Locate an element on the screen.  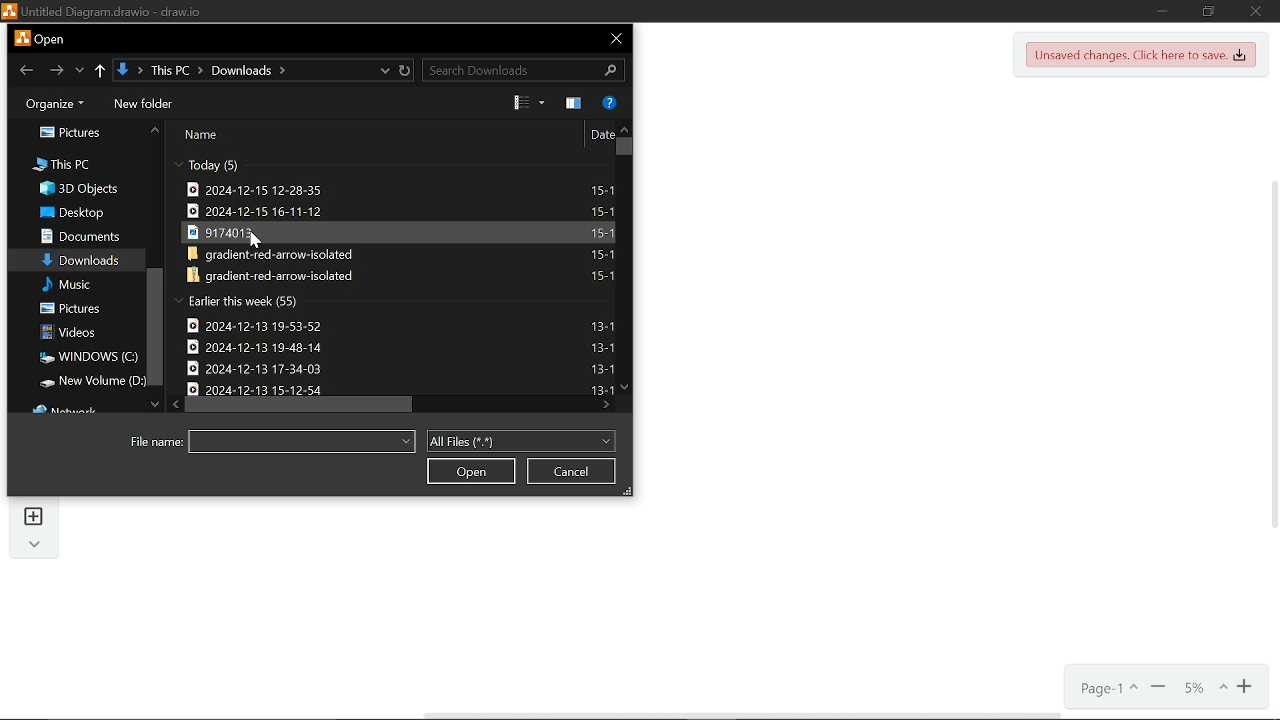
File type is located at coordinates (522, 439).